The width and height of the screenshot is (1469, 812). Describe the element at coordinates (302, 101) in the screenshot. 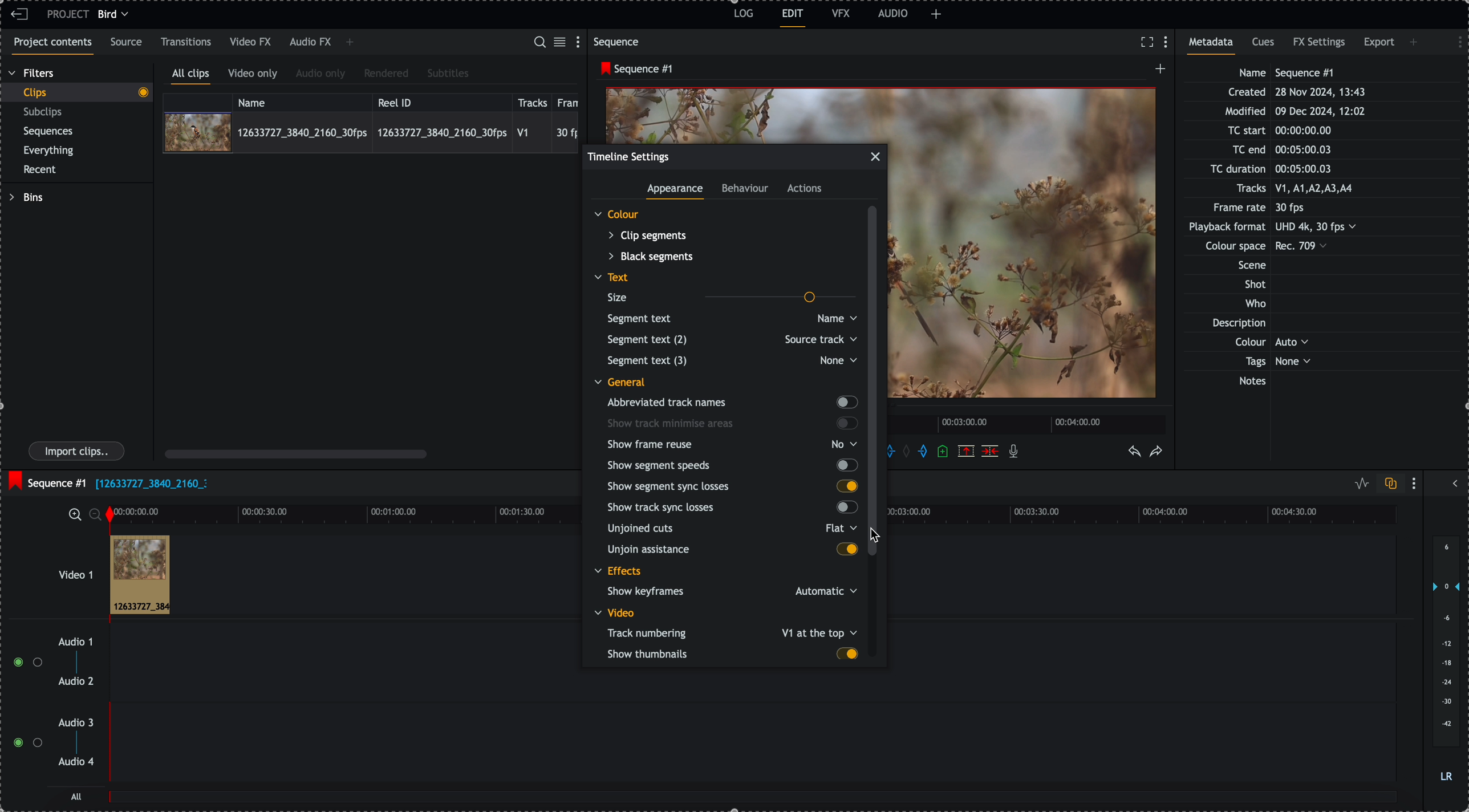

I see `name` at that location.